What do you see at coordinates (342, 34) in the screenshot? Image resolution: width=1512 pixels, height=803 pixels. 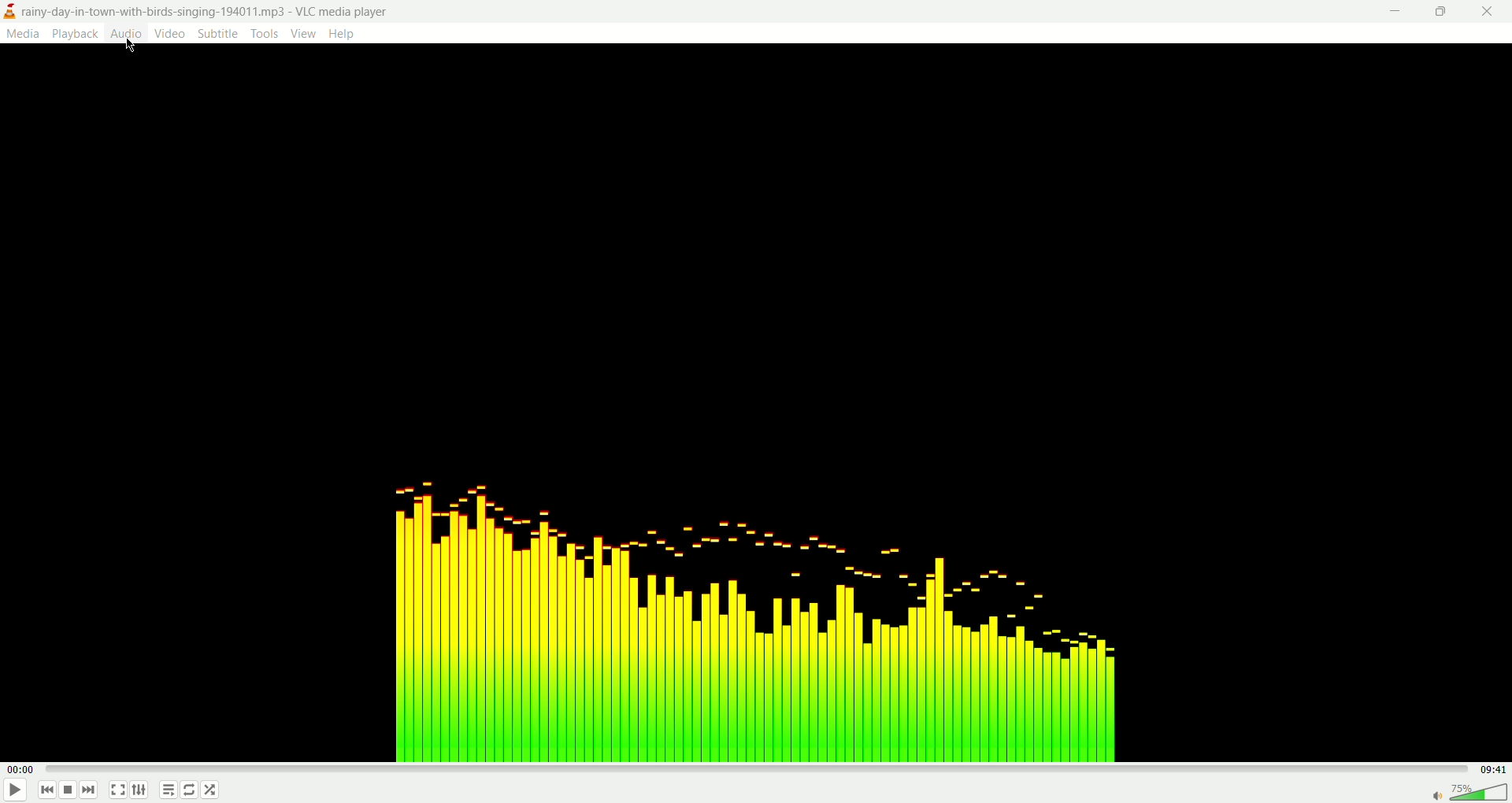 I see `help` at bounding box center [342, 34].